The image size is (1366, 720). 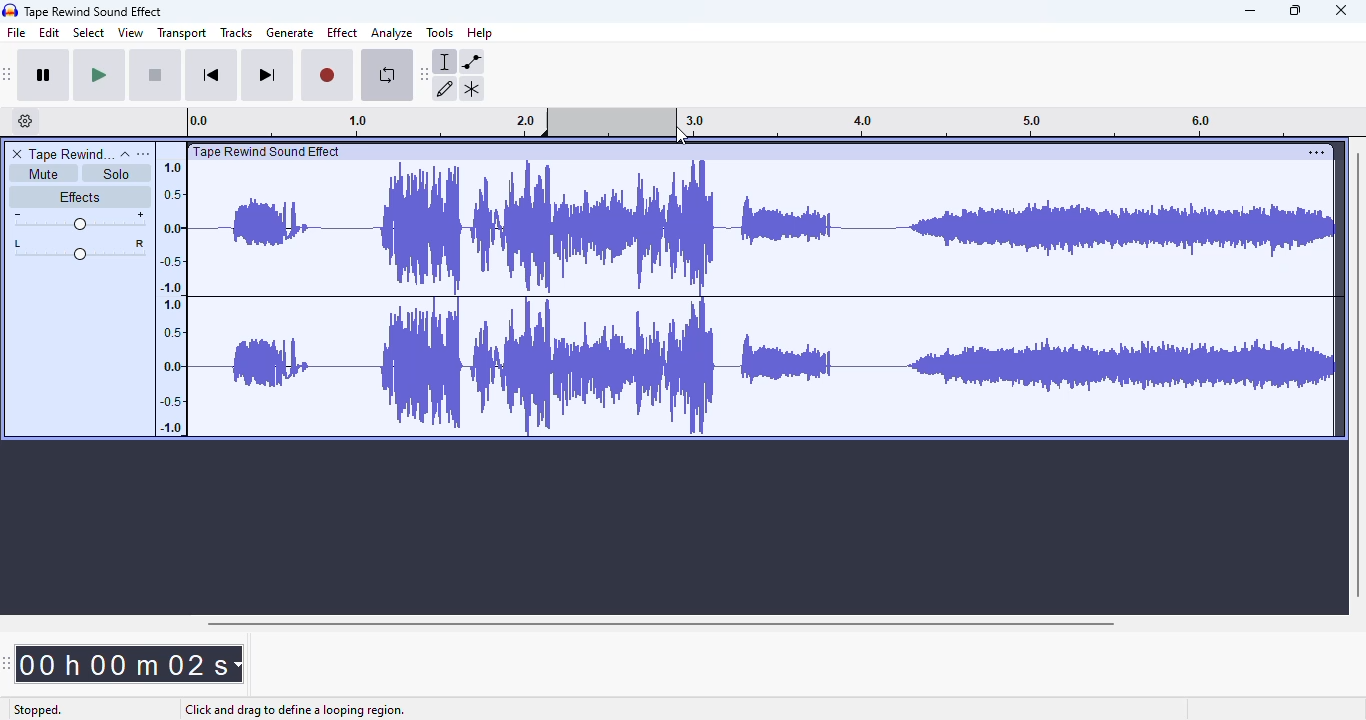 I want to click on 0.0 1.0 2.0, so click(x=365, y=122).